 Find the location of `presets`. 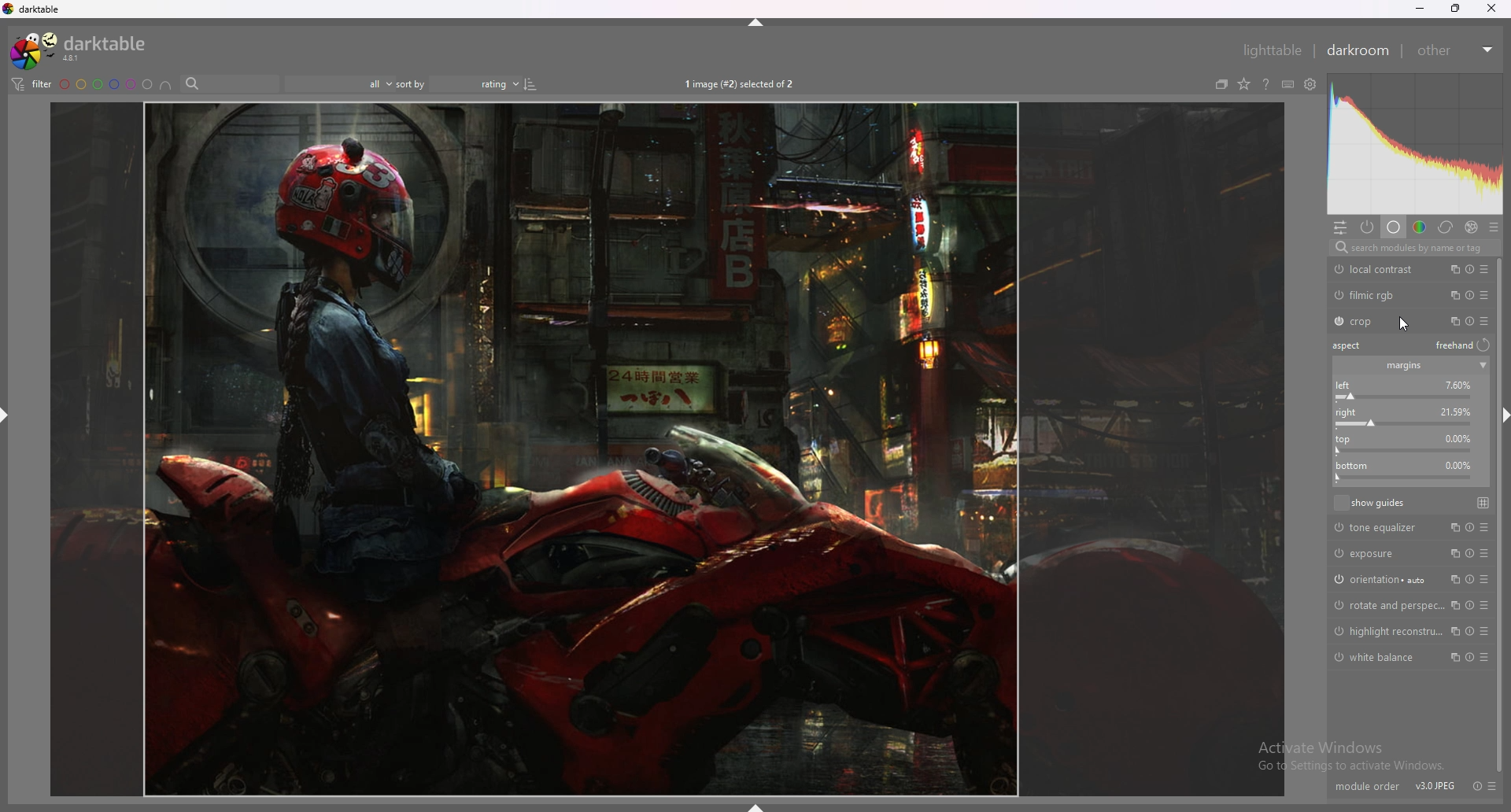

presets is located at coordinates (1493, 786).